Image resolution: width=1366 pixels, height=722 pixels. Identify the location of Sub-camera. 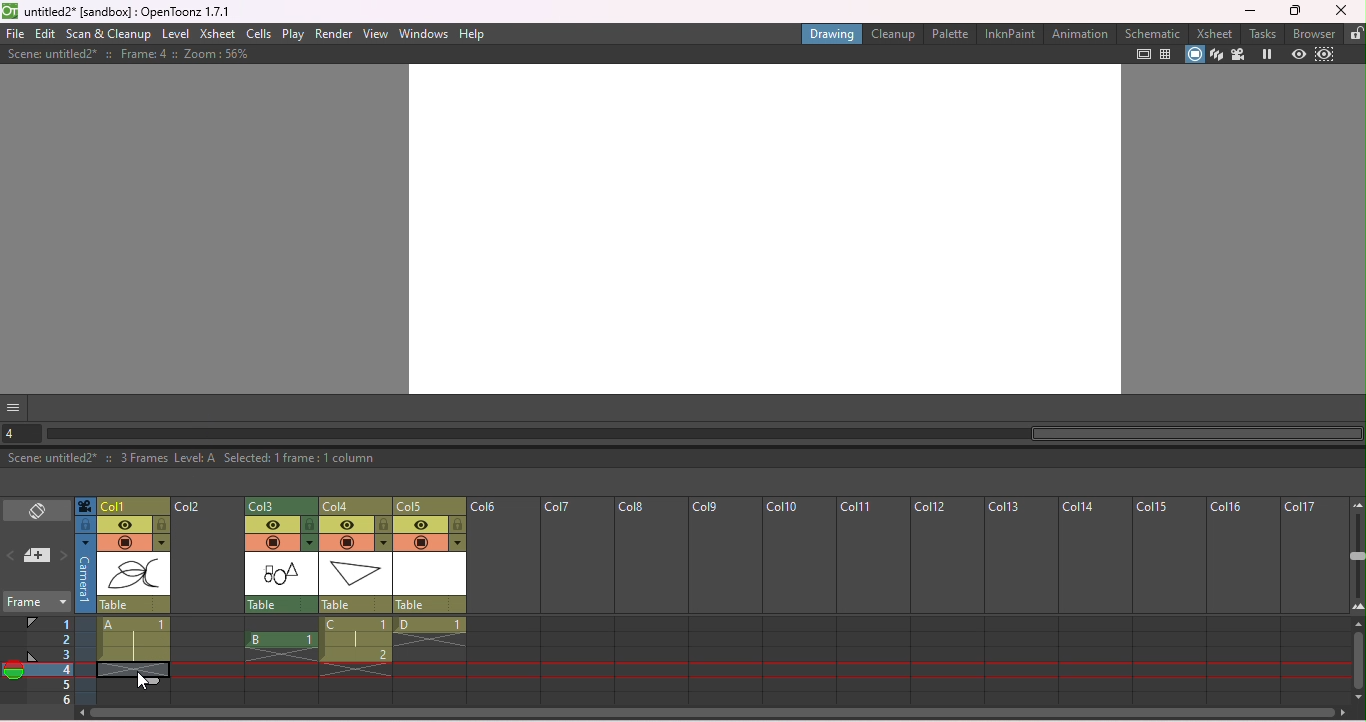
(1327, 55).